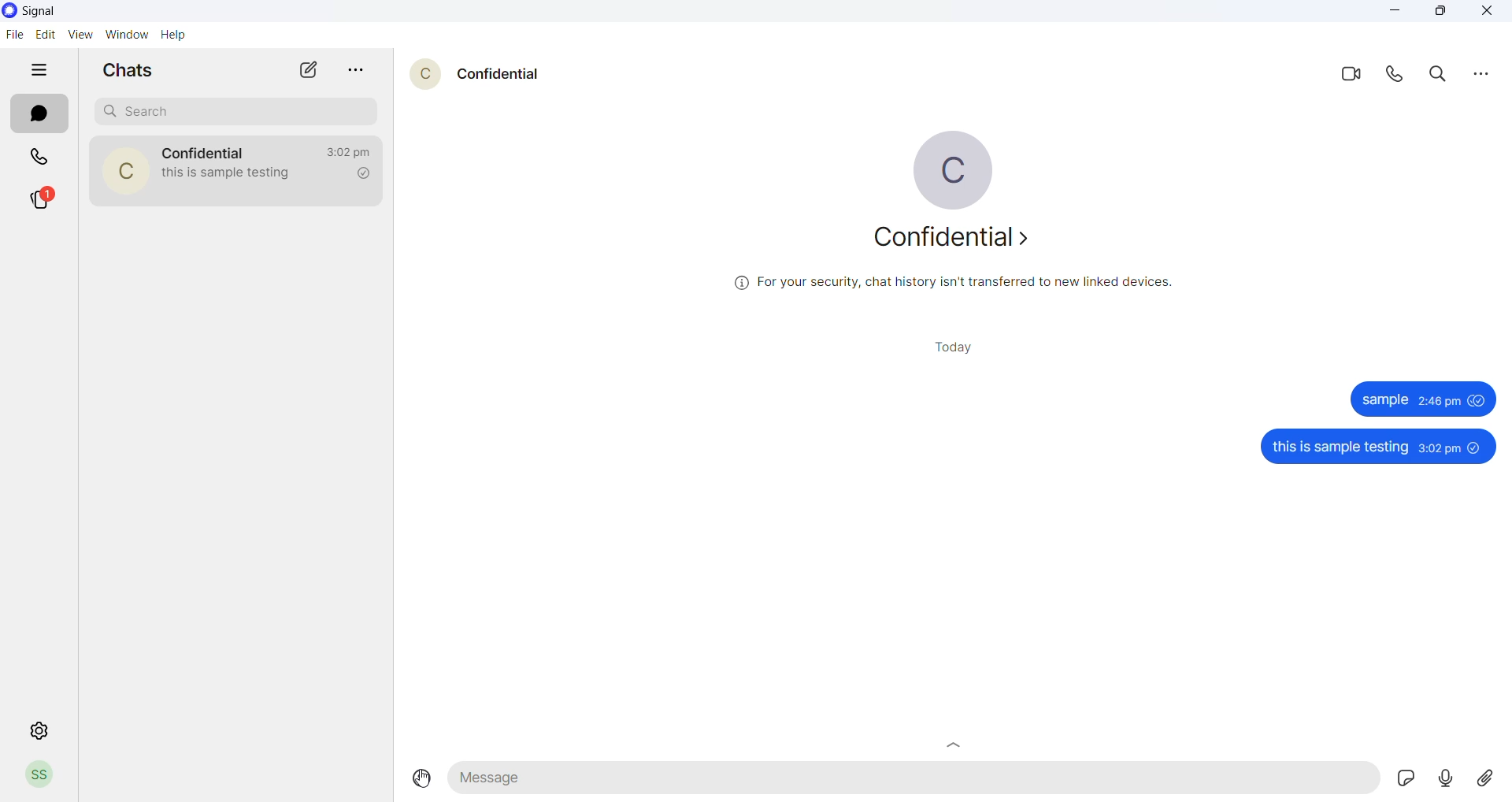  Describe the element at coordinates (124, 171) in the screenshot. I see `contact photo` at that location.